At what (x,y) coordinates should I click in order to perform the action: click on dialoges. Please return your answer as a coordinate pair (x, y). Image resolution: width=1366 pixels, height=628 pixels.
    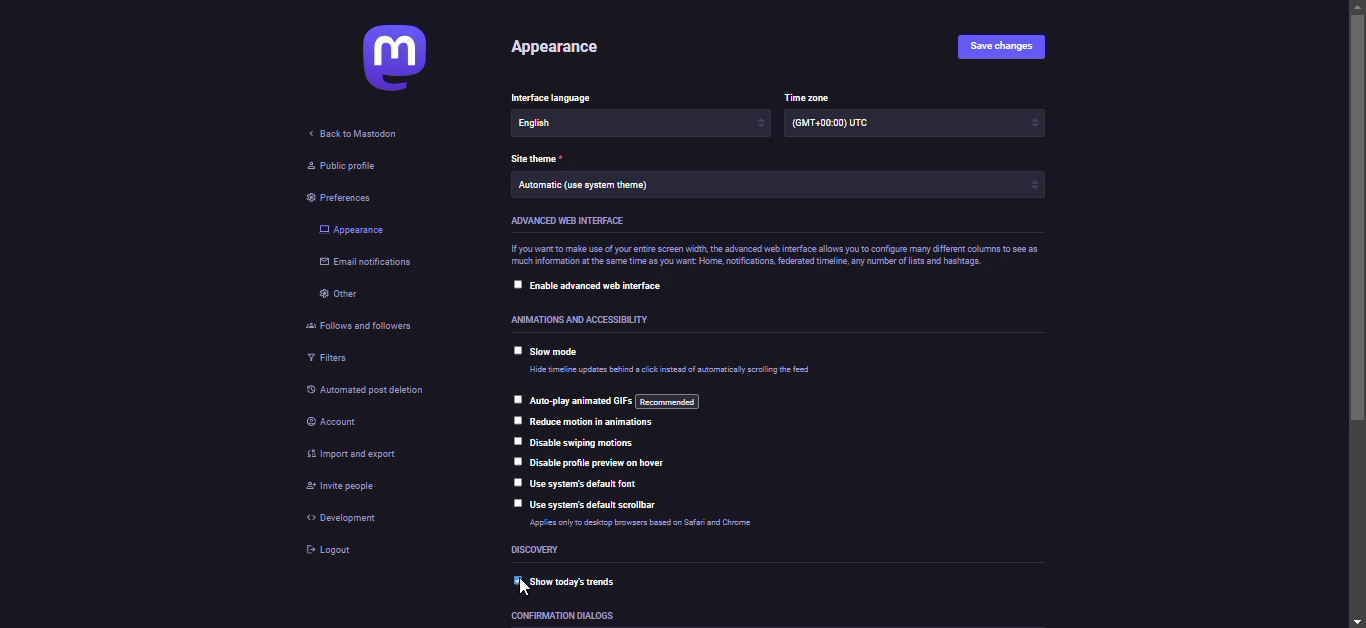
    Looking at the image, I should click on (565, 615).